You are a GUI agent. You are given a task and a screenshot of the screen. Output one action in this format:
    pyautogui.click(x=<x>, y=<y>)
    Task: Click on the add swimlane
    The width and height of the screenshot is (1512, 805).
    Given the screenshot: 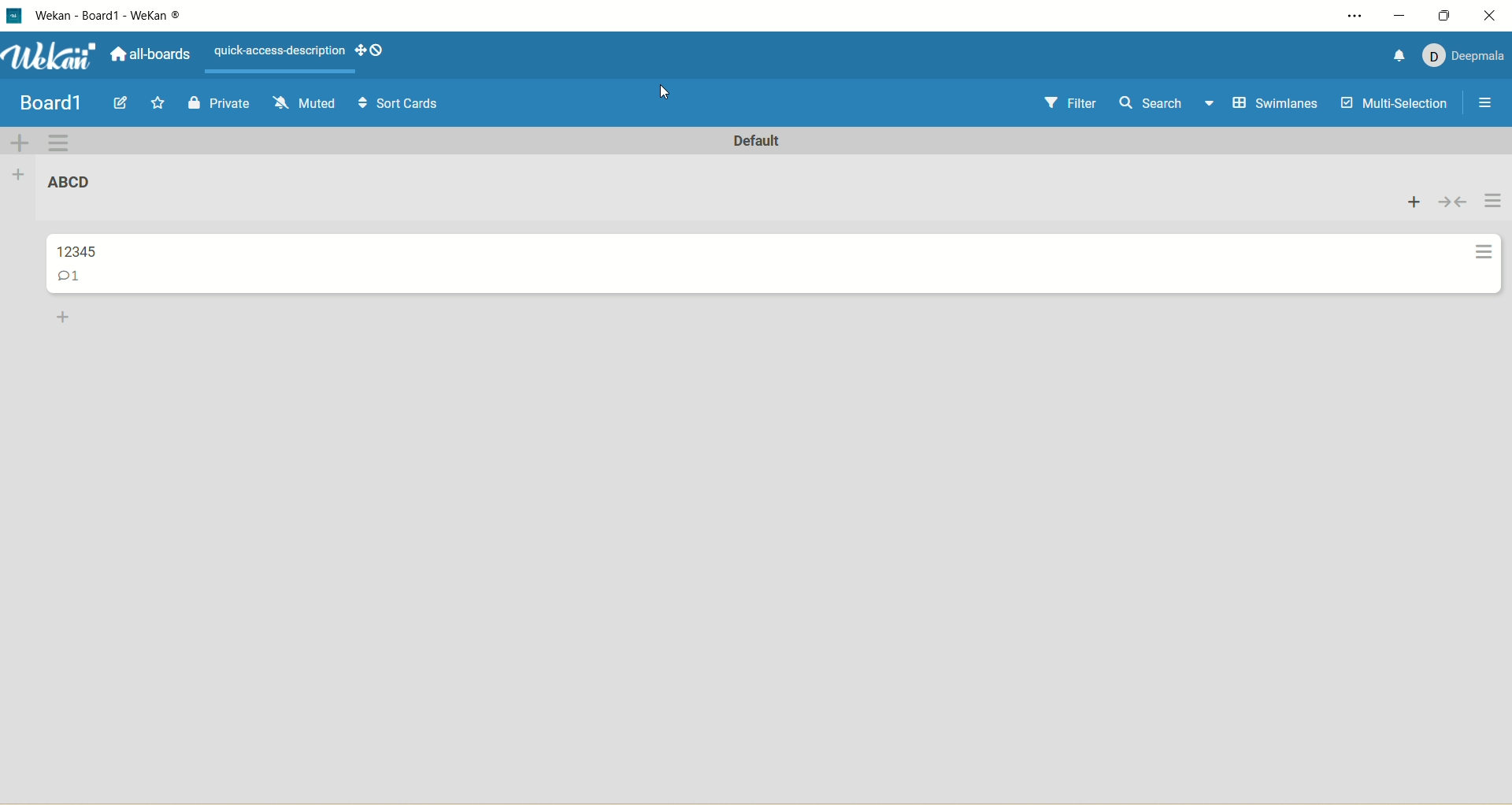 What is the action you would take?
    pyautogui.click(x=17, y=142)
    